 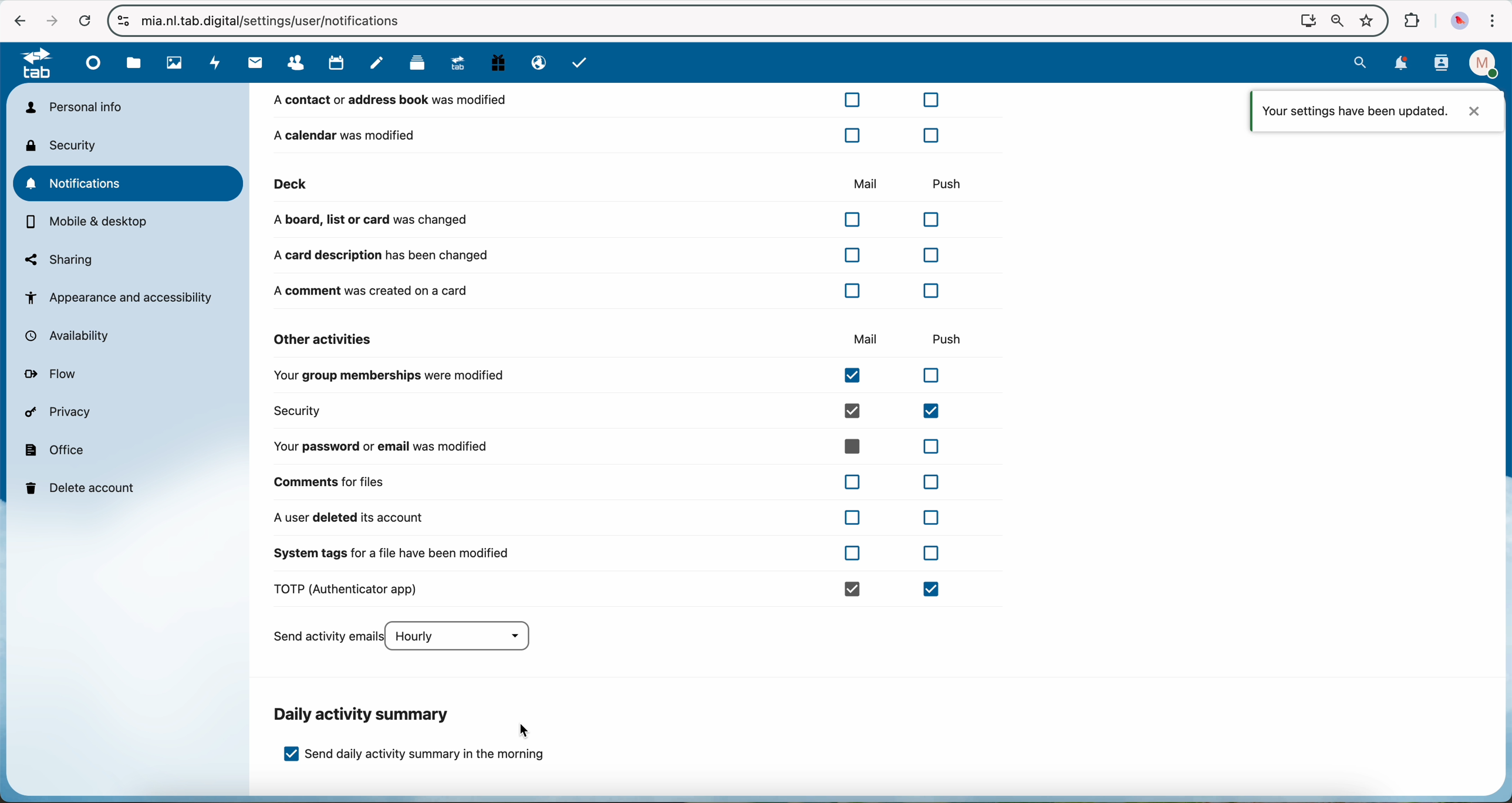 I want to click on security, so click(x=65, y=145).